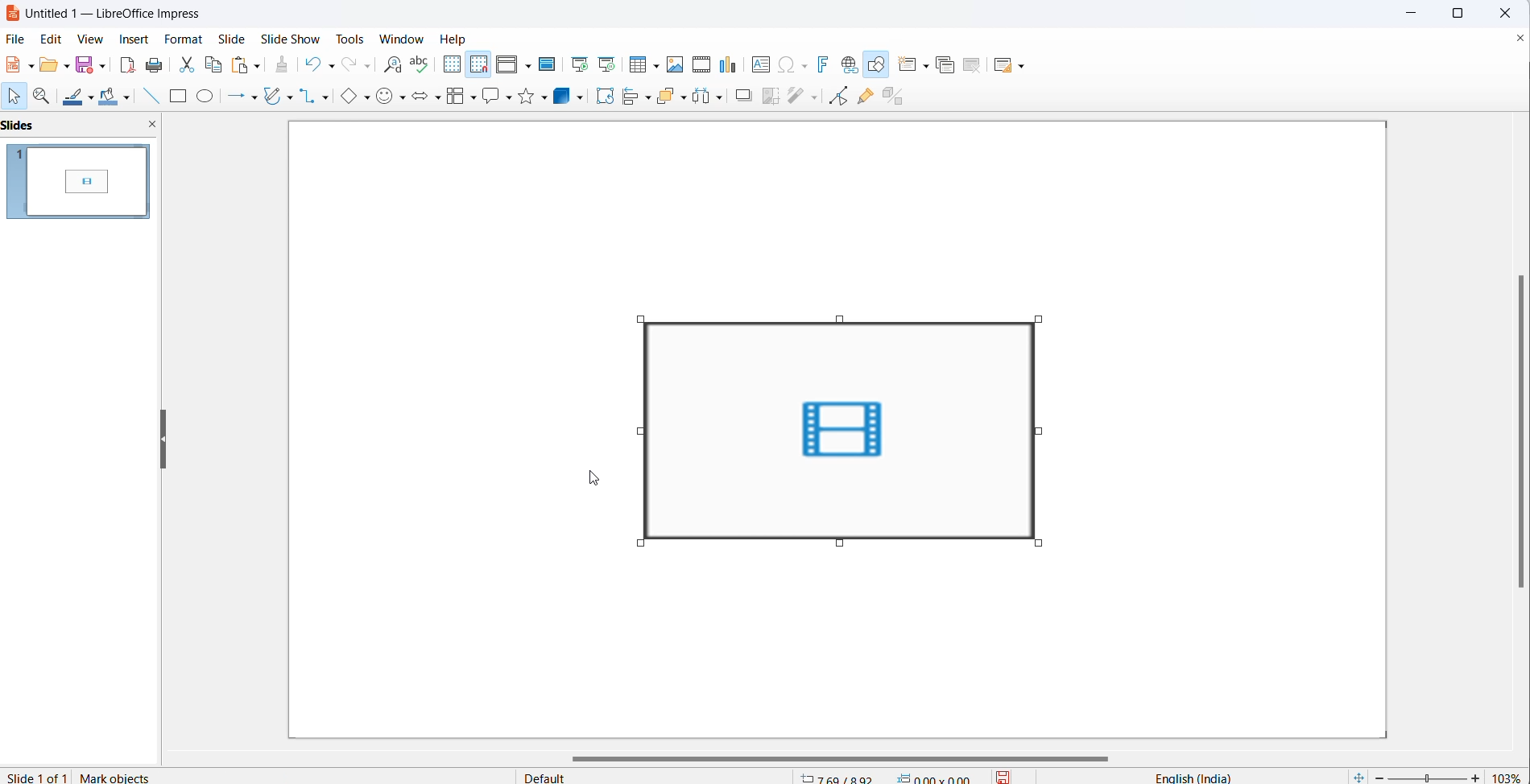 The width and height of the screenshot is (1530, 784). What do you see at coordinates (258, 66) in the screenshot?
I see `paste options` at bounding box center [258, 66].